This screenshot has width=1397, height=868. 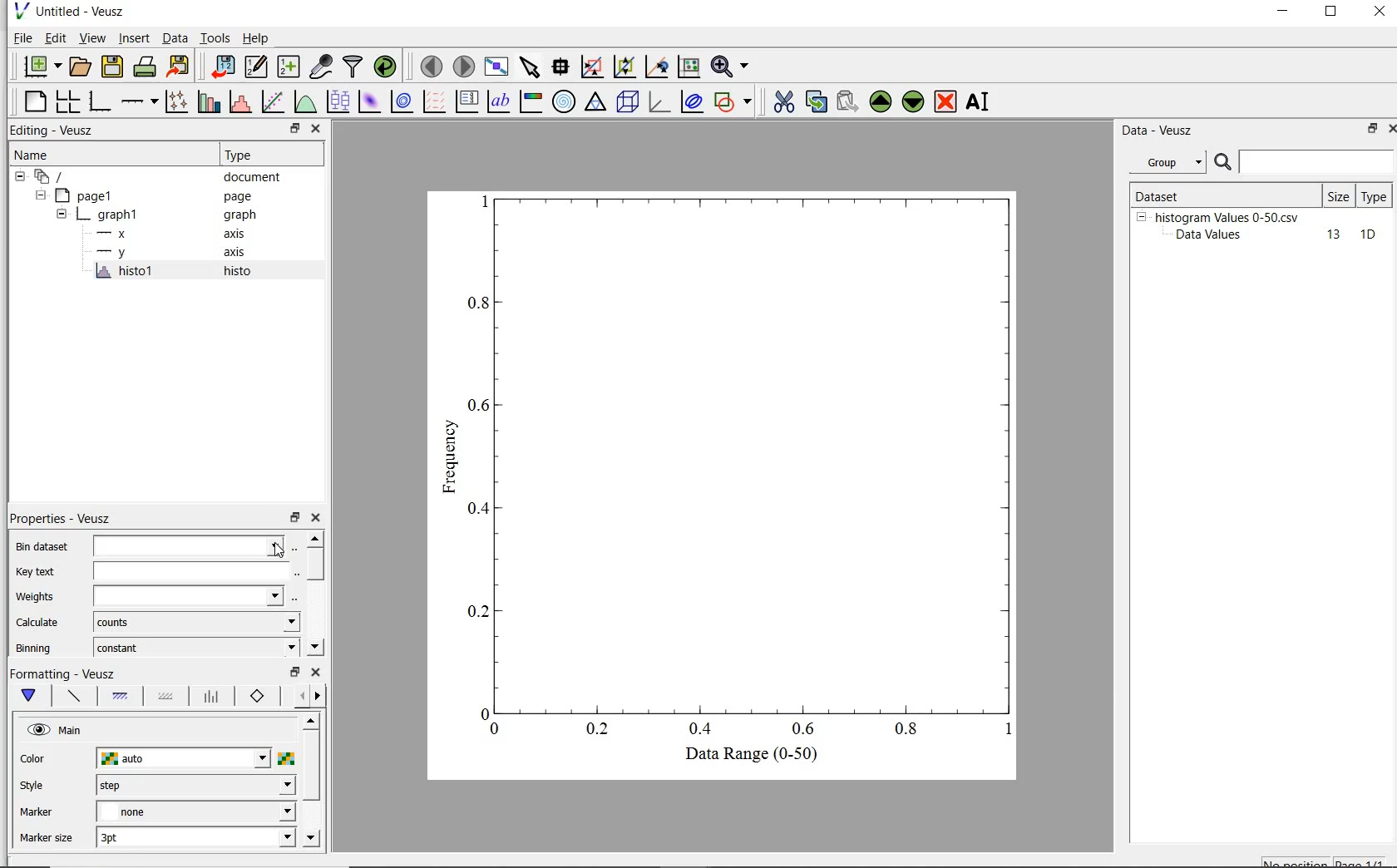 What do you see at coordinates (35, 572) in the screenshot?
I see `Key text` at bounding box center [35, 572].